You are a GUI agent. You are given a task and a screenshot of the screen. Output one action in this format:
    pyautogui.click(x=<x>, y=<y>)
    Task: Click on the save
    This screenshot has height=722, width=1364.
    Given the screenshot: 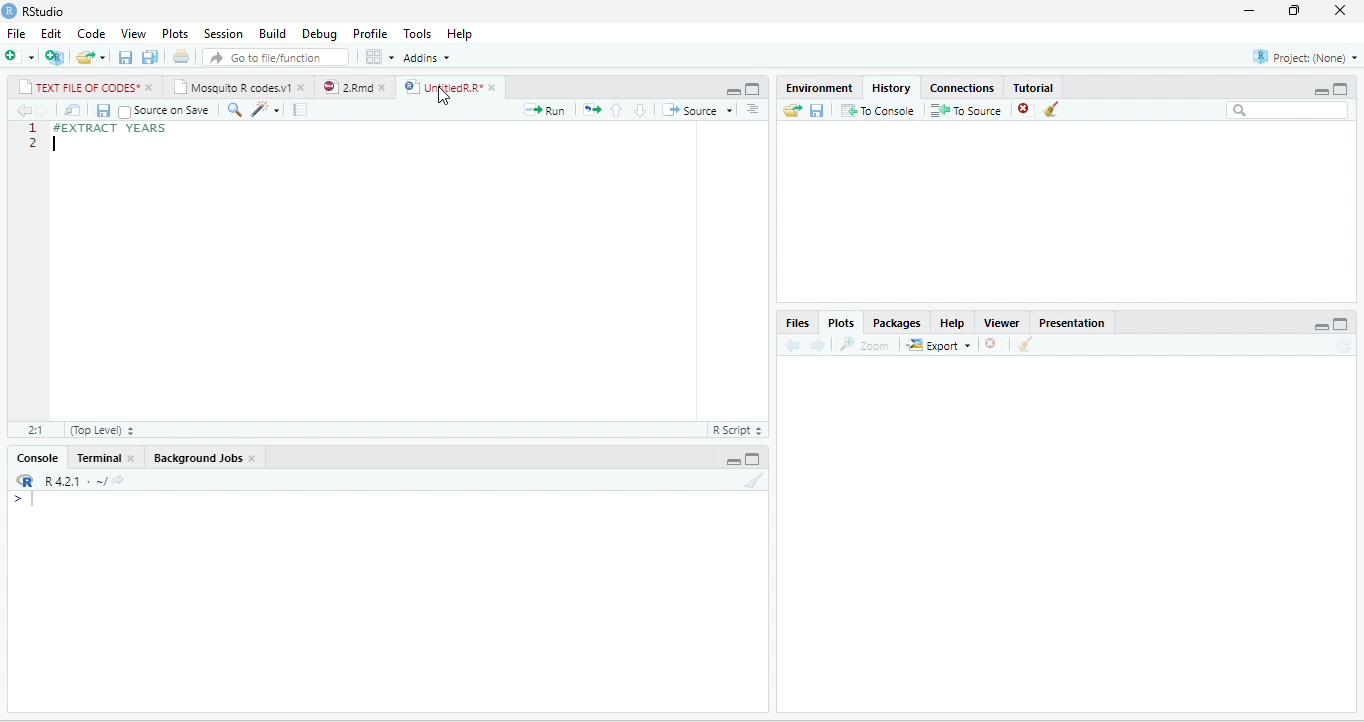 What is the action you would take?
    pyautogui.click(x=126, y=57)
    